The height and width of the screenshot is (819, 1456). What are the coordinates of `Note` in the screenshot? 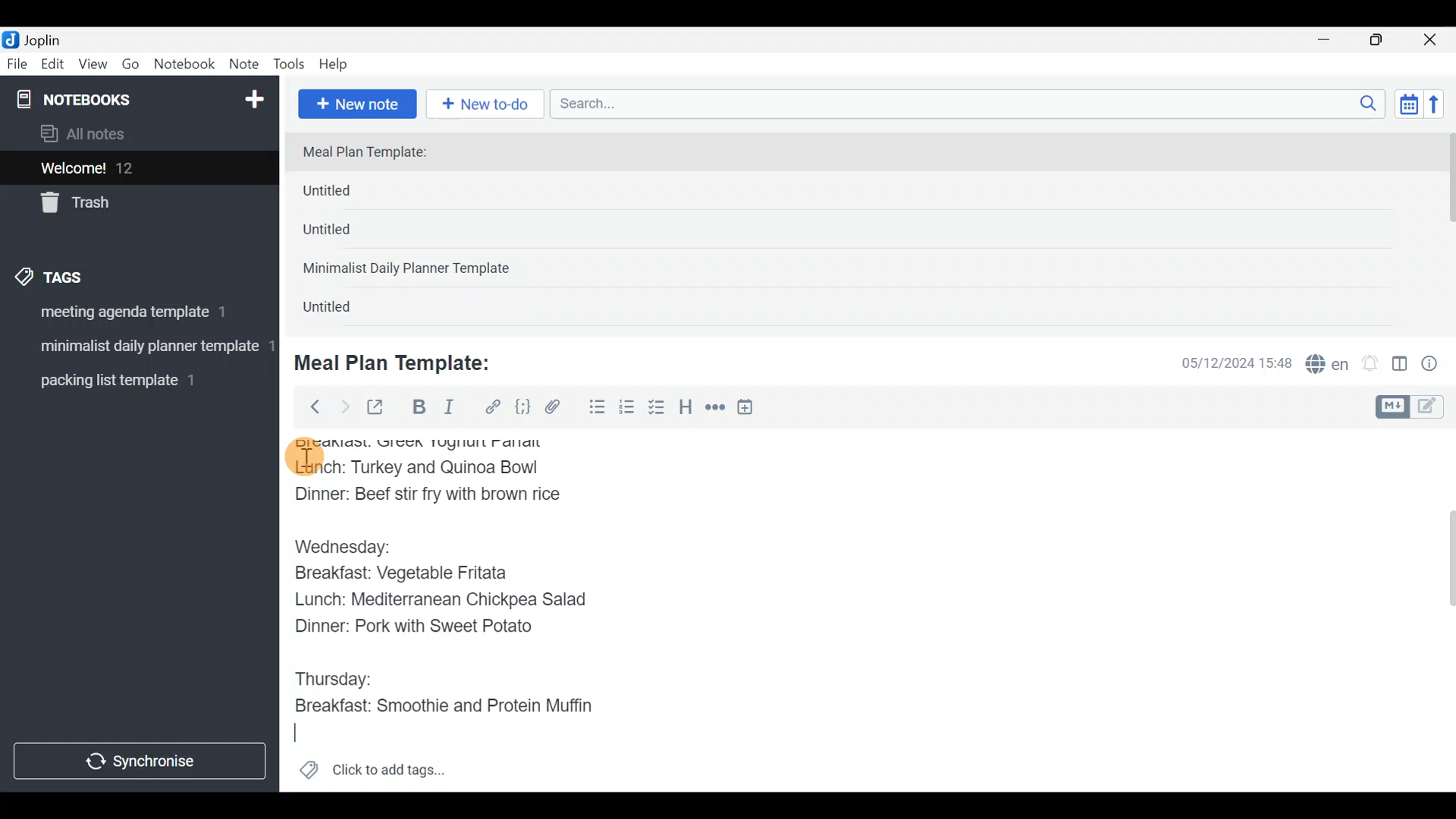 It's located at (247, 65).